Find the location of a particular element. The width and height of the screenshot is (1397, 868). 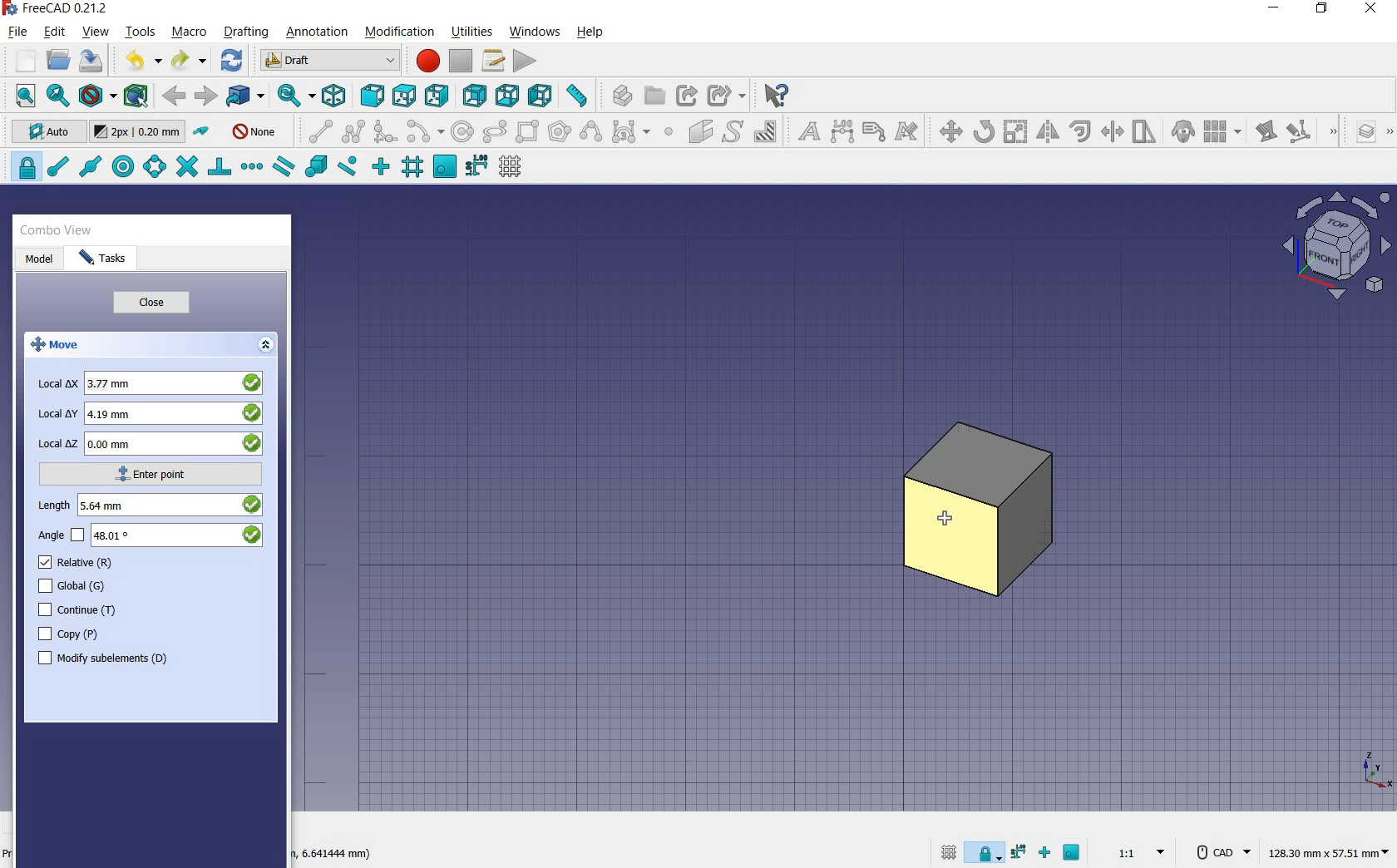

make link is located at coordinates (687, 95).